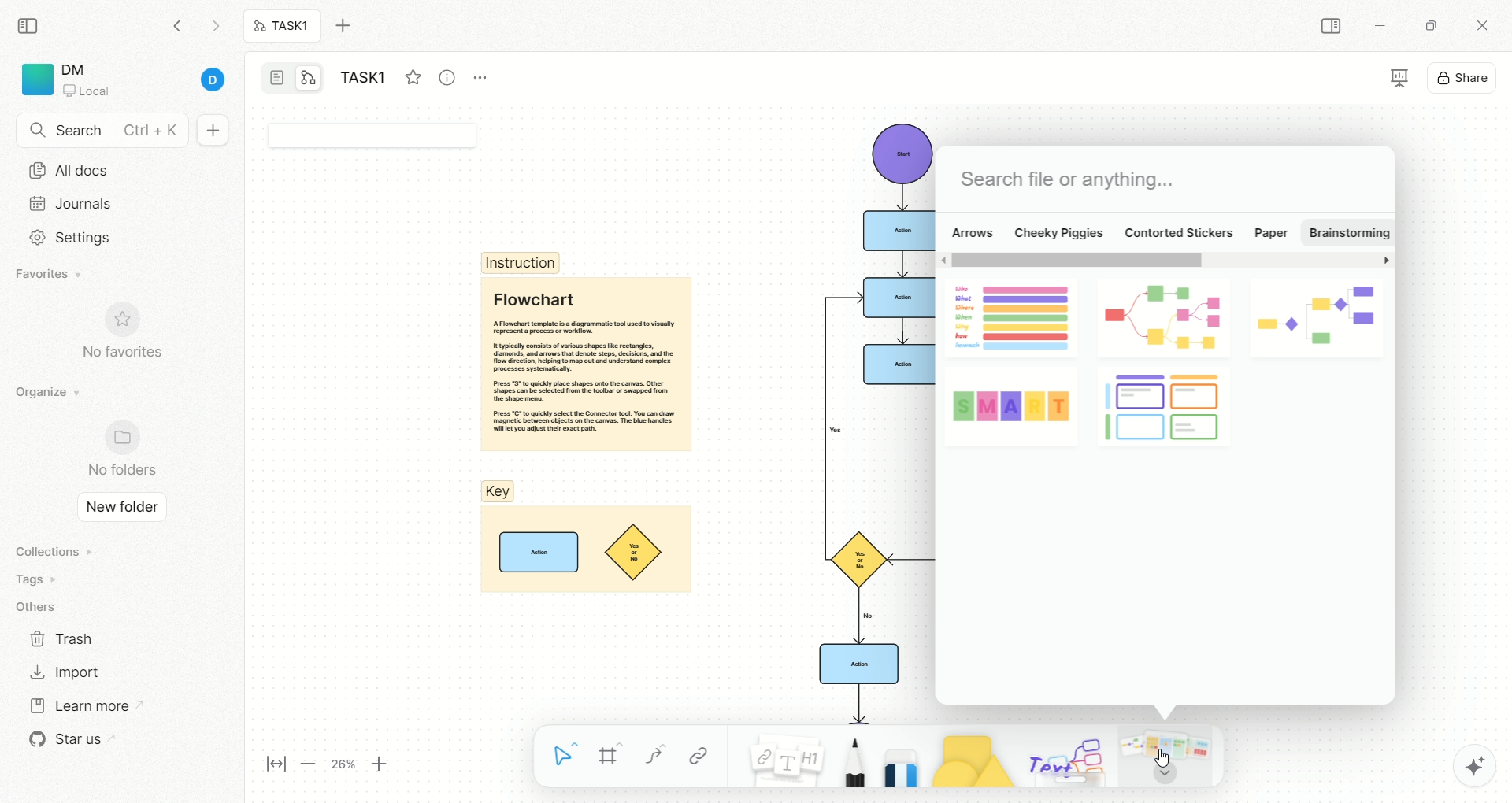  I want to click on flowcharts, so click(1163, 359).